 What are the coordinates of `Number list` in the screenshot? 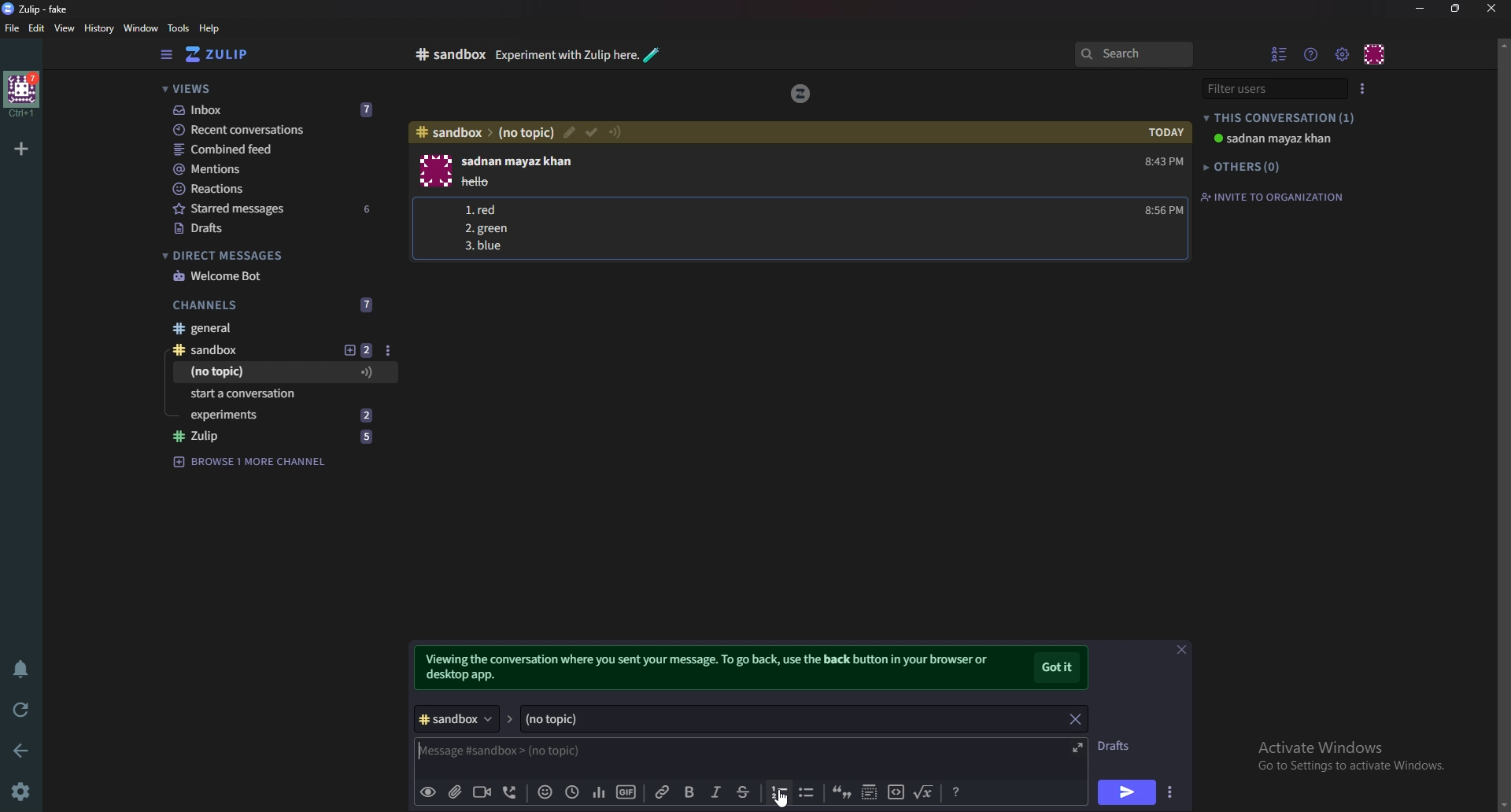 It's located at (491, 229).